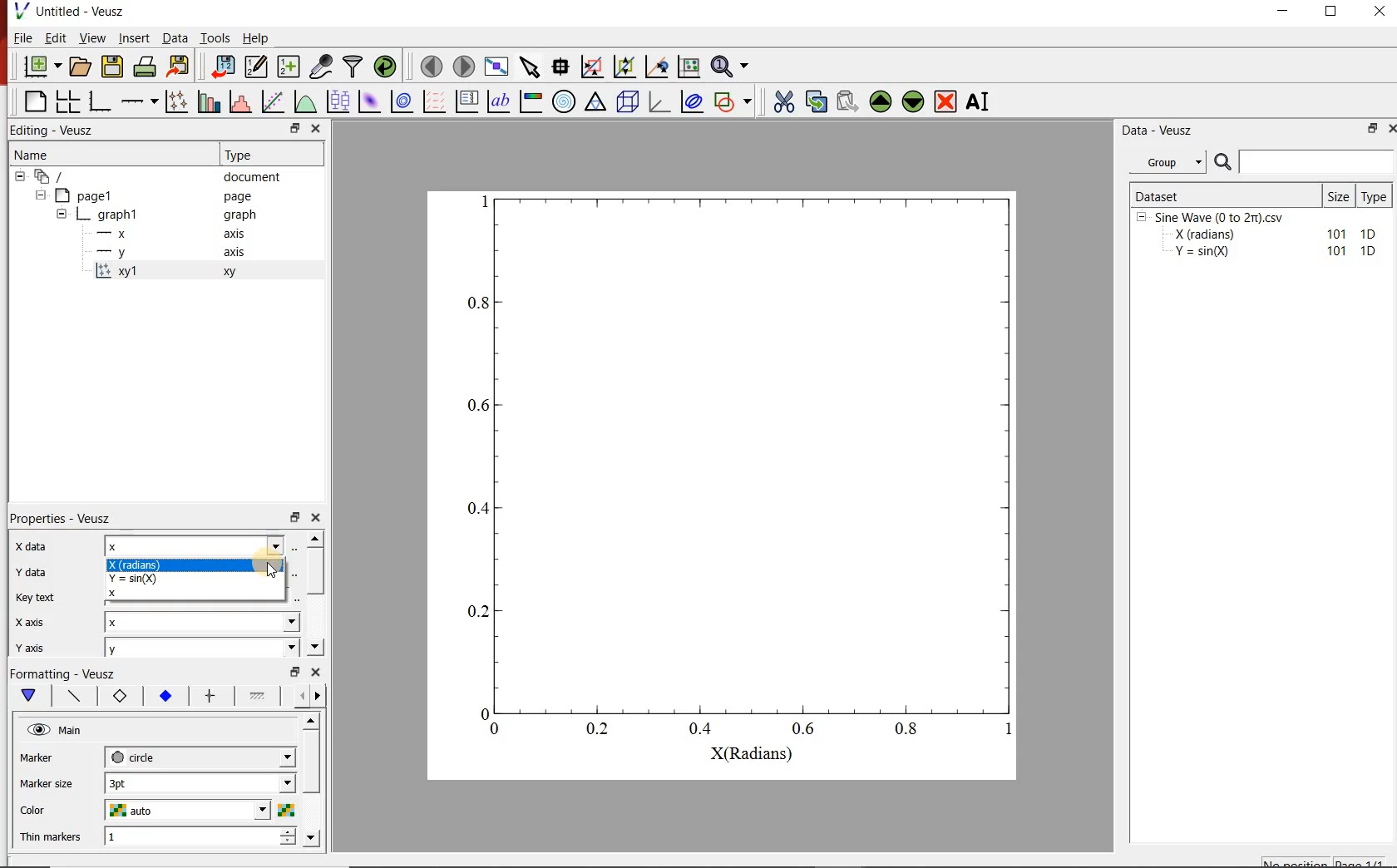 This screenshot has width=1397, height=868. Describe the element at coordinates (691, 101) in the screenshot. I see `plot covariance ellipses` at that location.